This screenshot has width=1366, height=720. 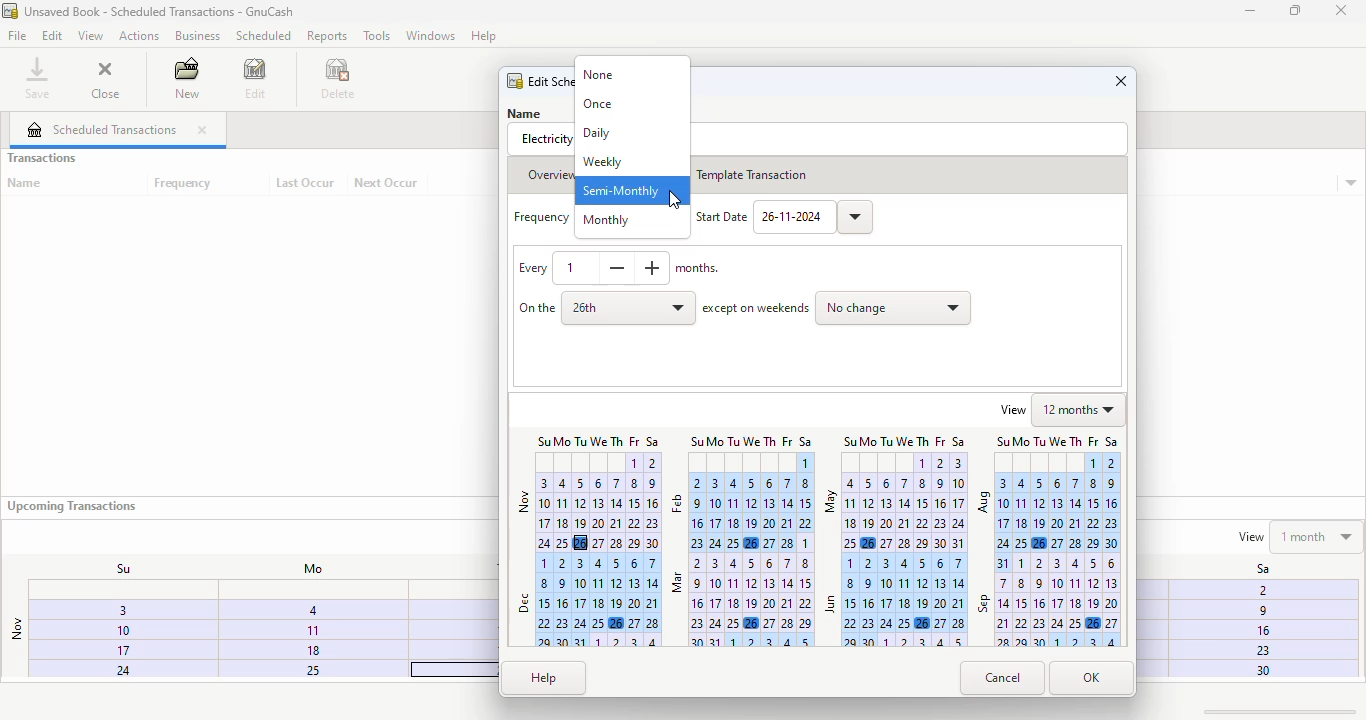 I want to click on Su, so click(x=113, y=568).